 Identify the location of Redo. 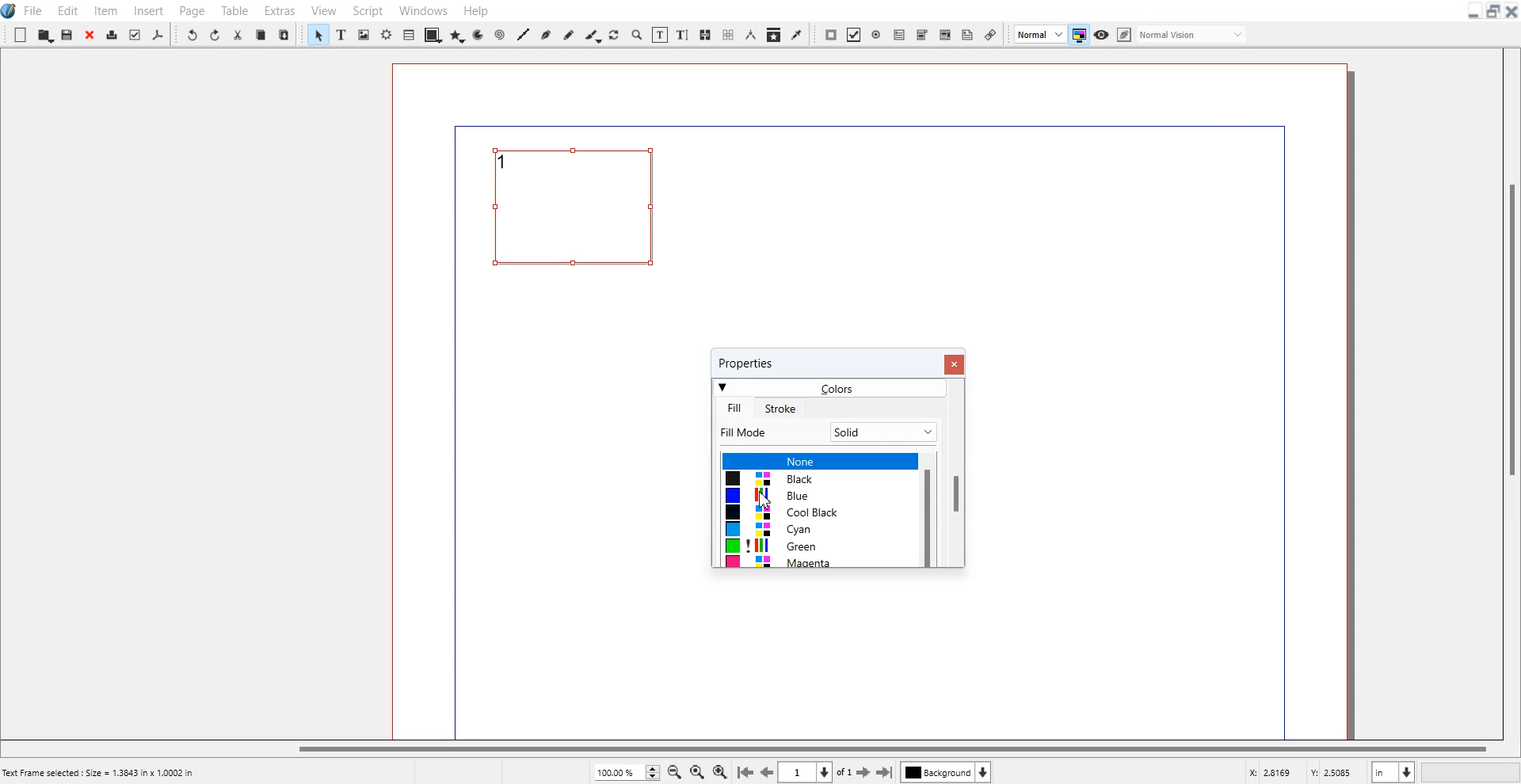
(215, 33).